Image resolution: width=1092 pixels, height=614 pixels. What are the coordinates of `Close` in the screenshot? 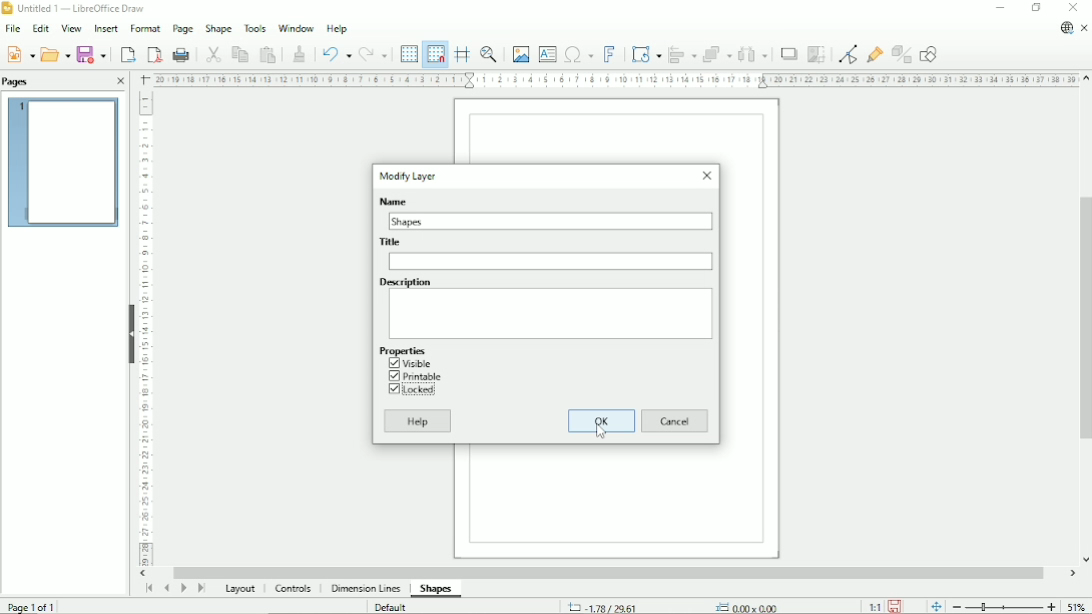 It's located at (120, 81).